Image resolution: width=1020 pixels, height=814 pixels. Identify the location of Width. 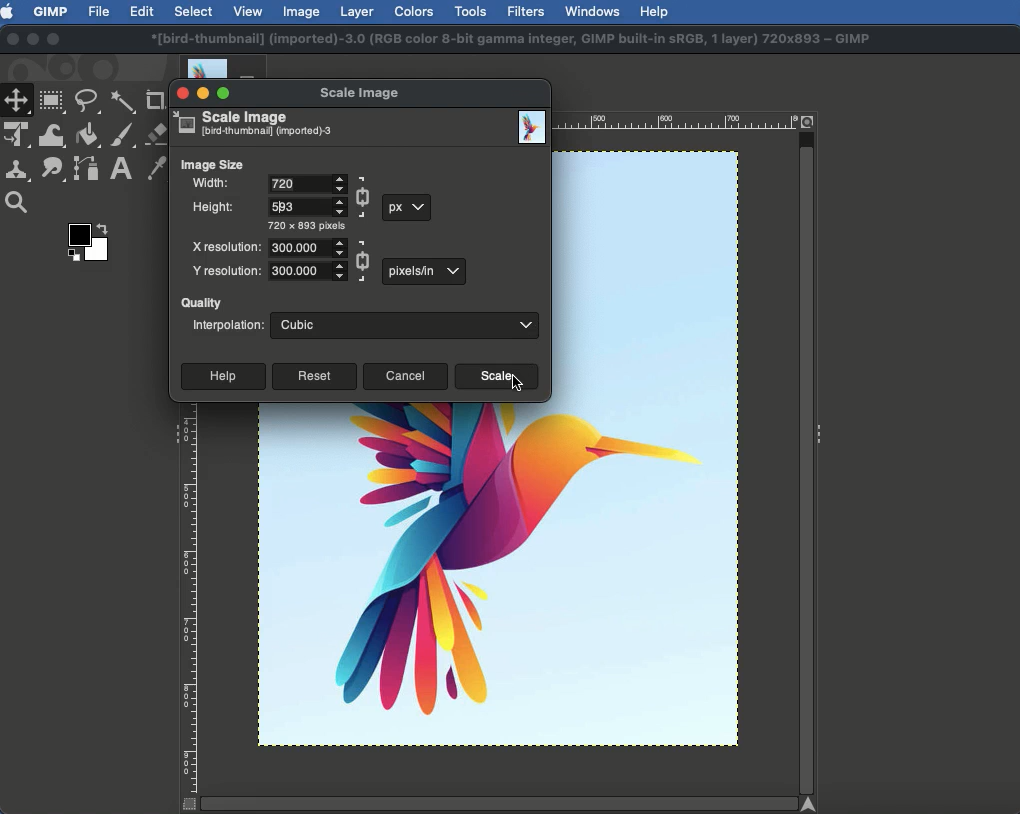
(210, 184).